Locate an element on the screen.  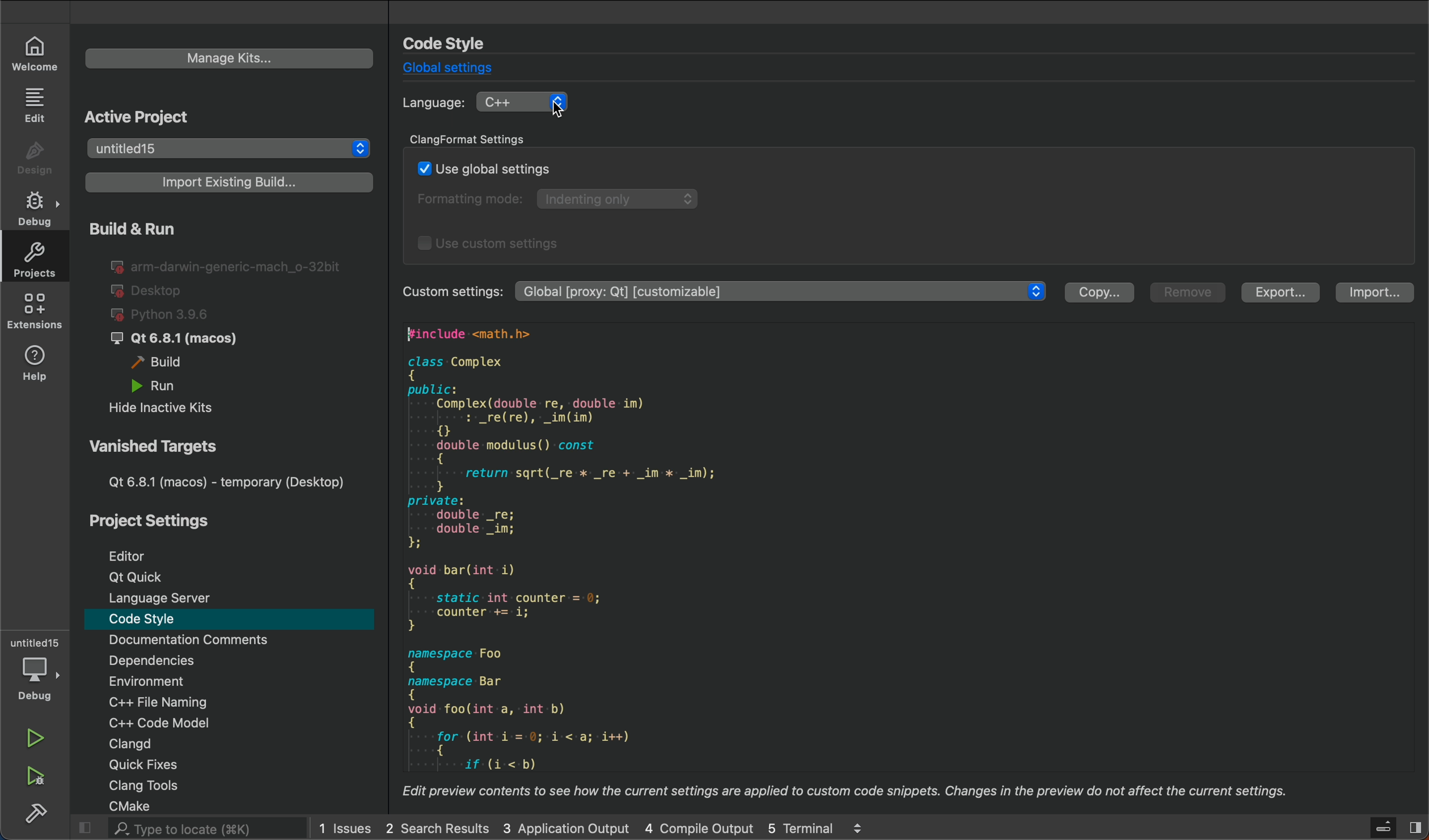
c-- code modal is located at coordinates (174, 721).